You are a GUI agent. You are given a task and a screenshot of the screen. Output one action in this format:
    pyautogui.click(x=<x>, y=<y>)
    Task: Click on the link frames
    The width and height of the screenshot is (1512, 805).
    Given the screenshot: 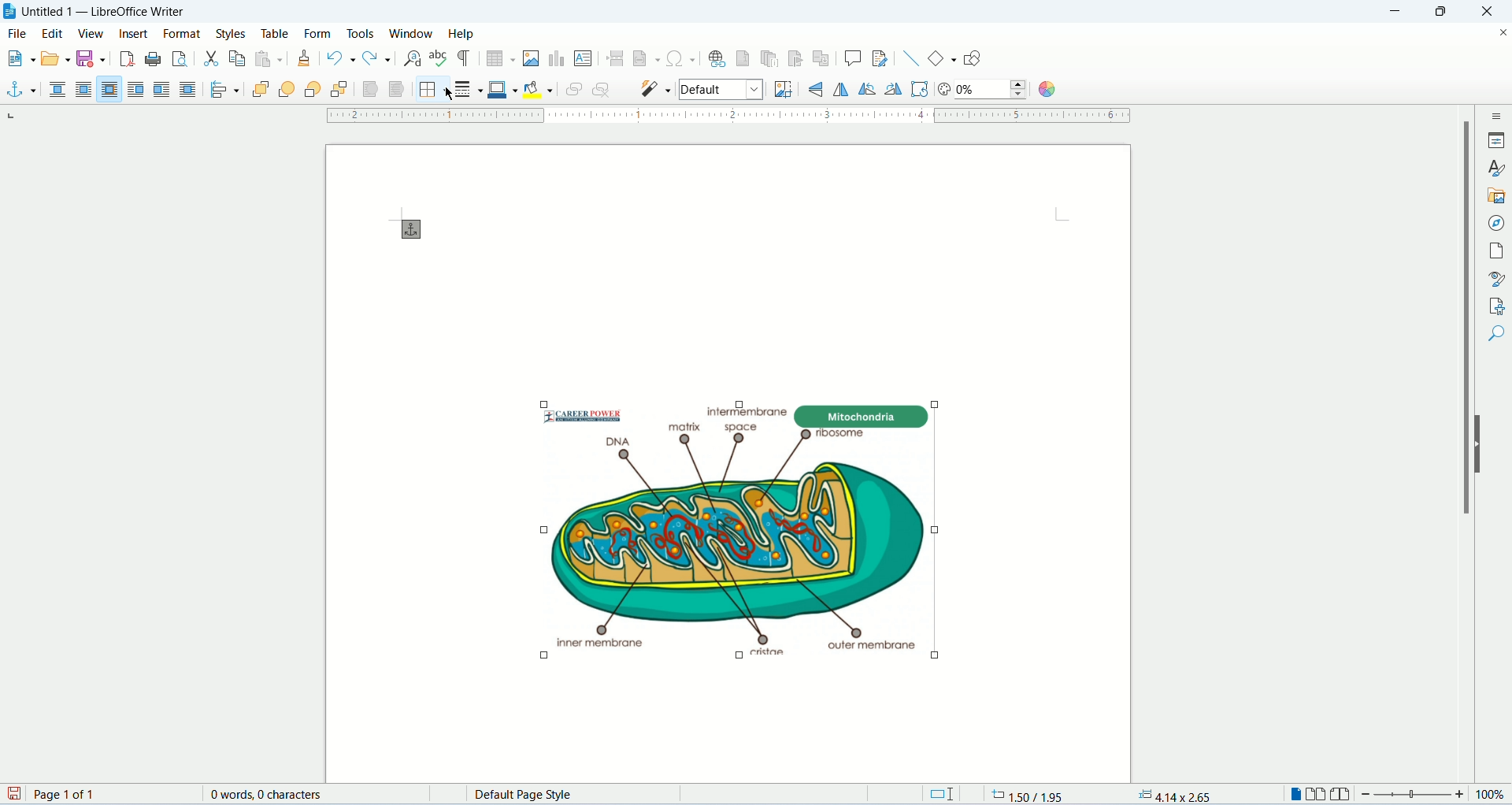 What is the action you would take?
    pyautogui.click(x=570, y=91)
    